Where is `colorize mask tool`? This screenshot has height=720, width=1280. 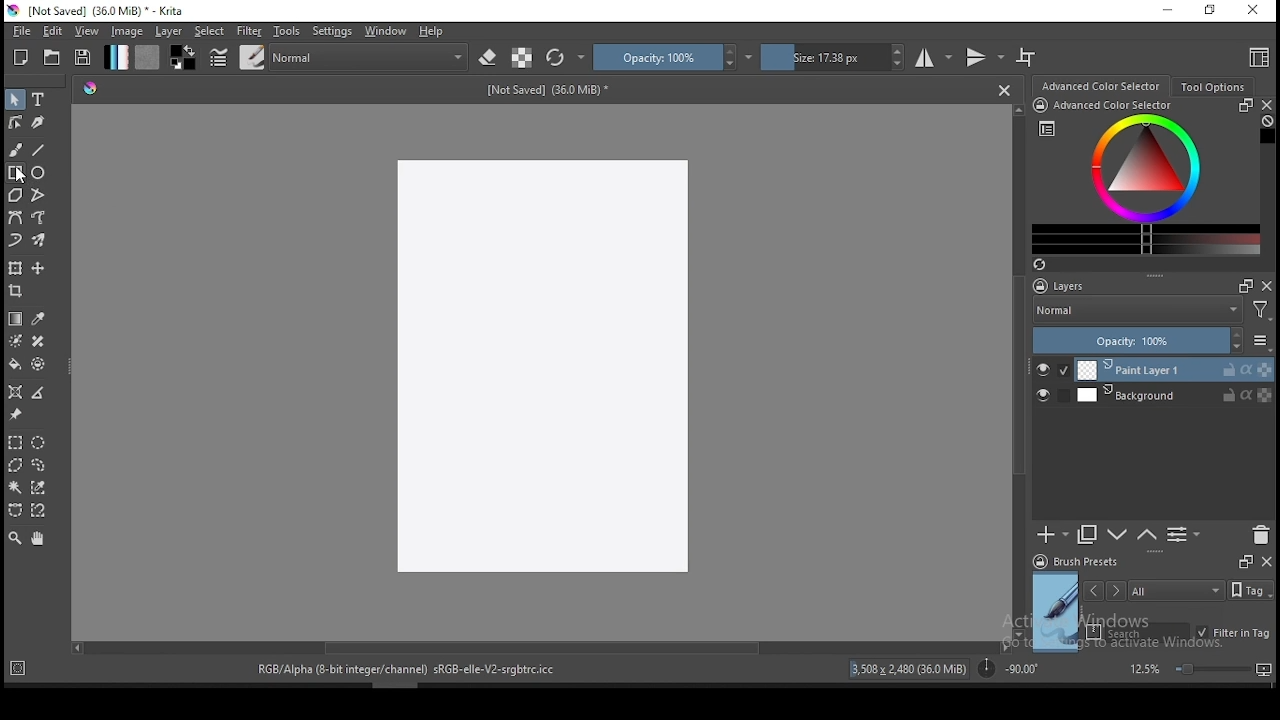 colorize mask tool is located at coordinates (17, 341).